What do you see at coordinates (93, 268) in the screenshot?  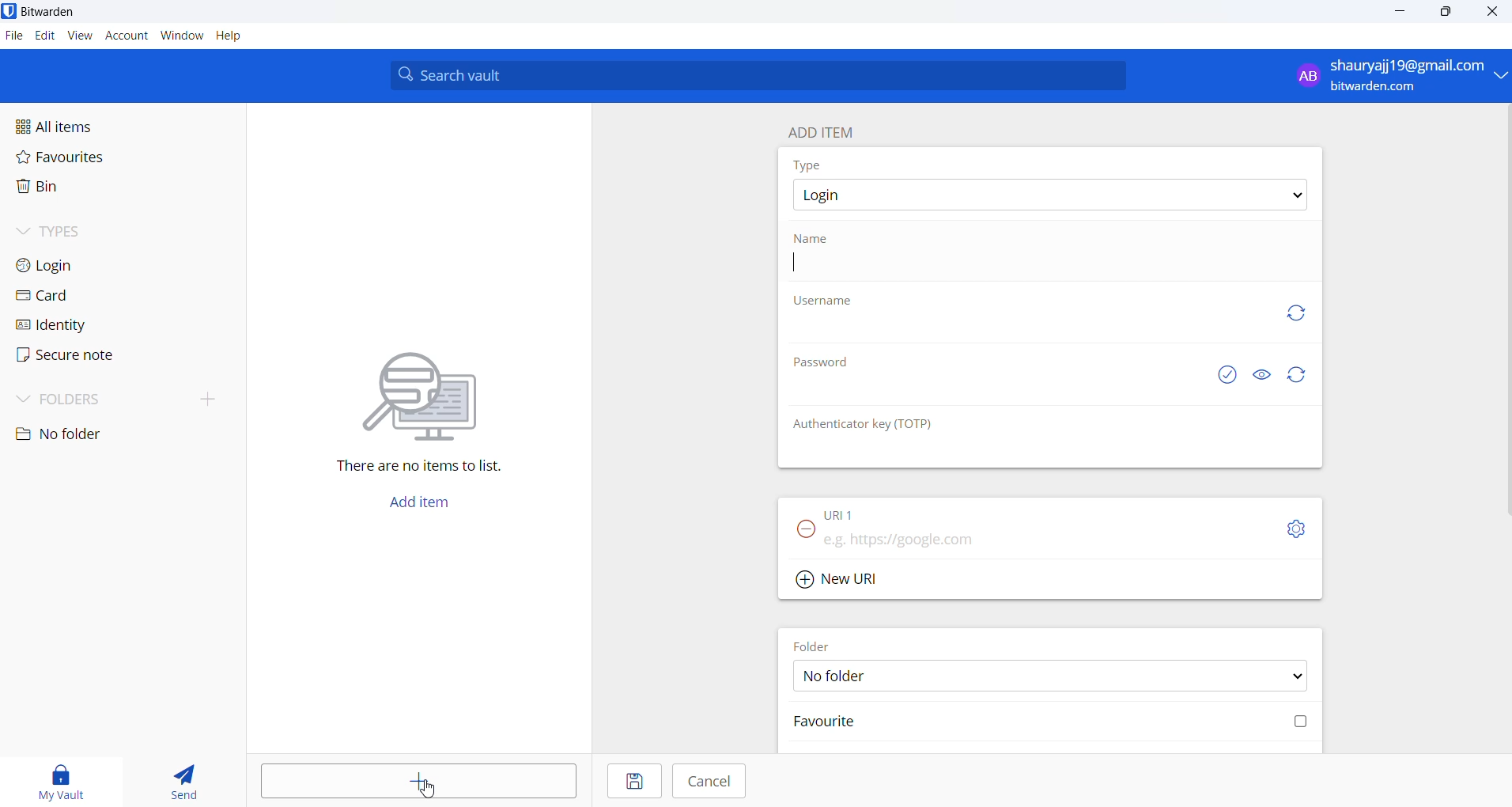 I see `login` at bounding box center [93, 268].